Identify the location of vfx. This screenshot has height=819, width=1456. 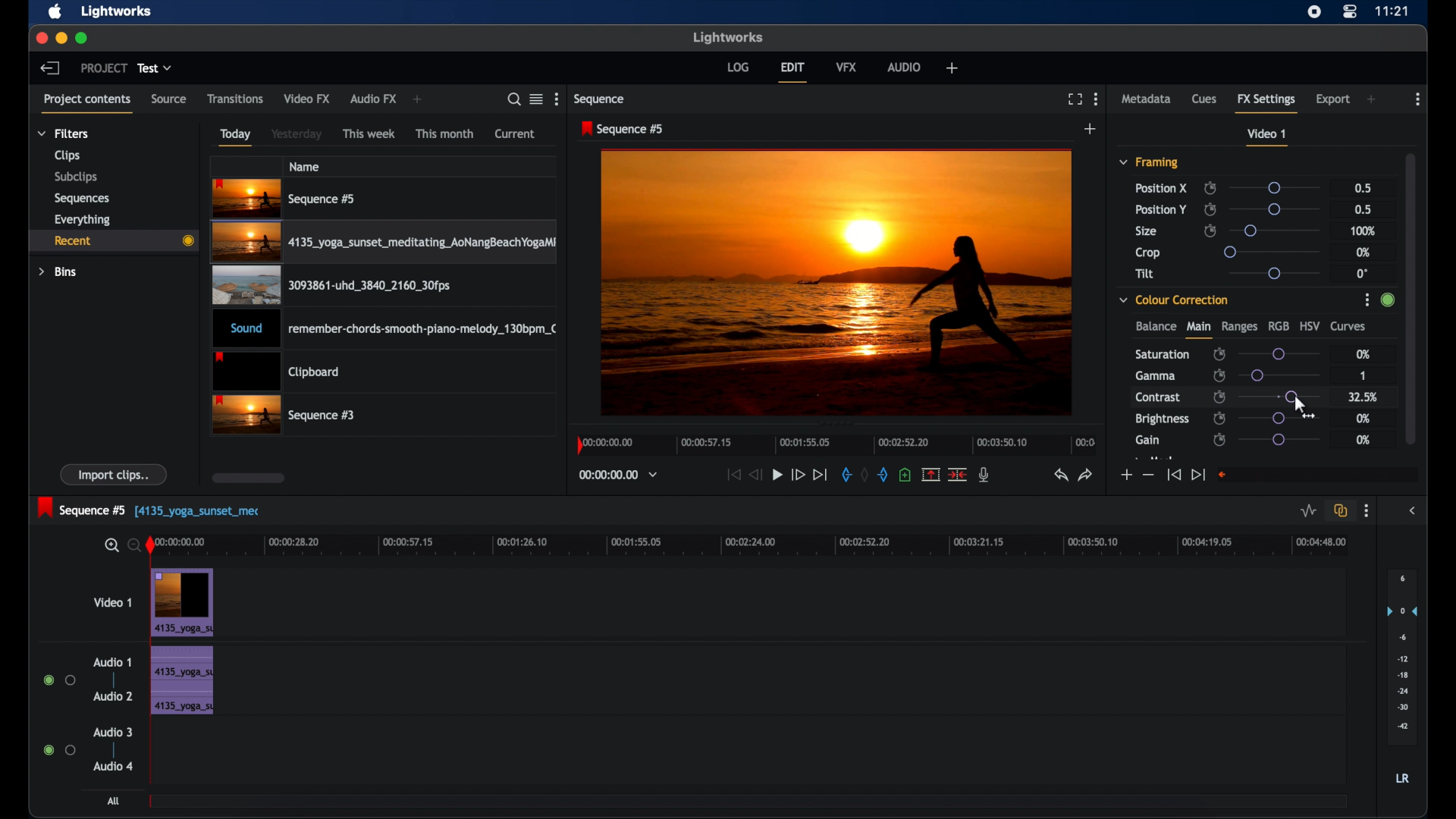
(846, 66).